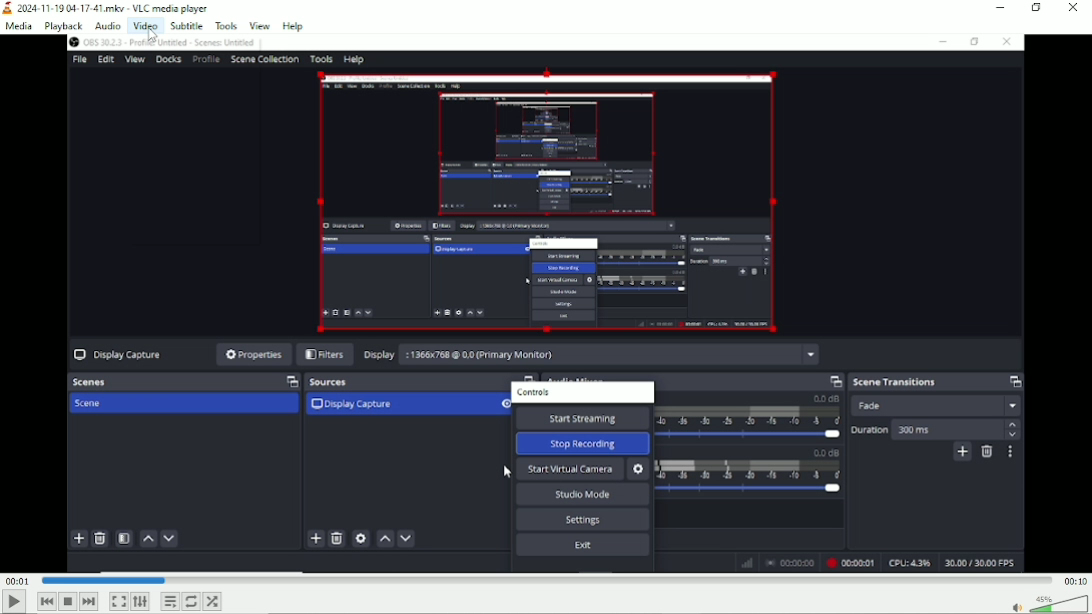 The height and width of the screenshot is (614, 1092). Describe the element at coordinates (1001, 8) in the screenshot. I see `Minimize` at that location.